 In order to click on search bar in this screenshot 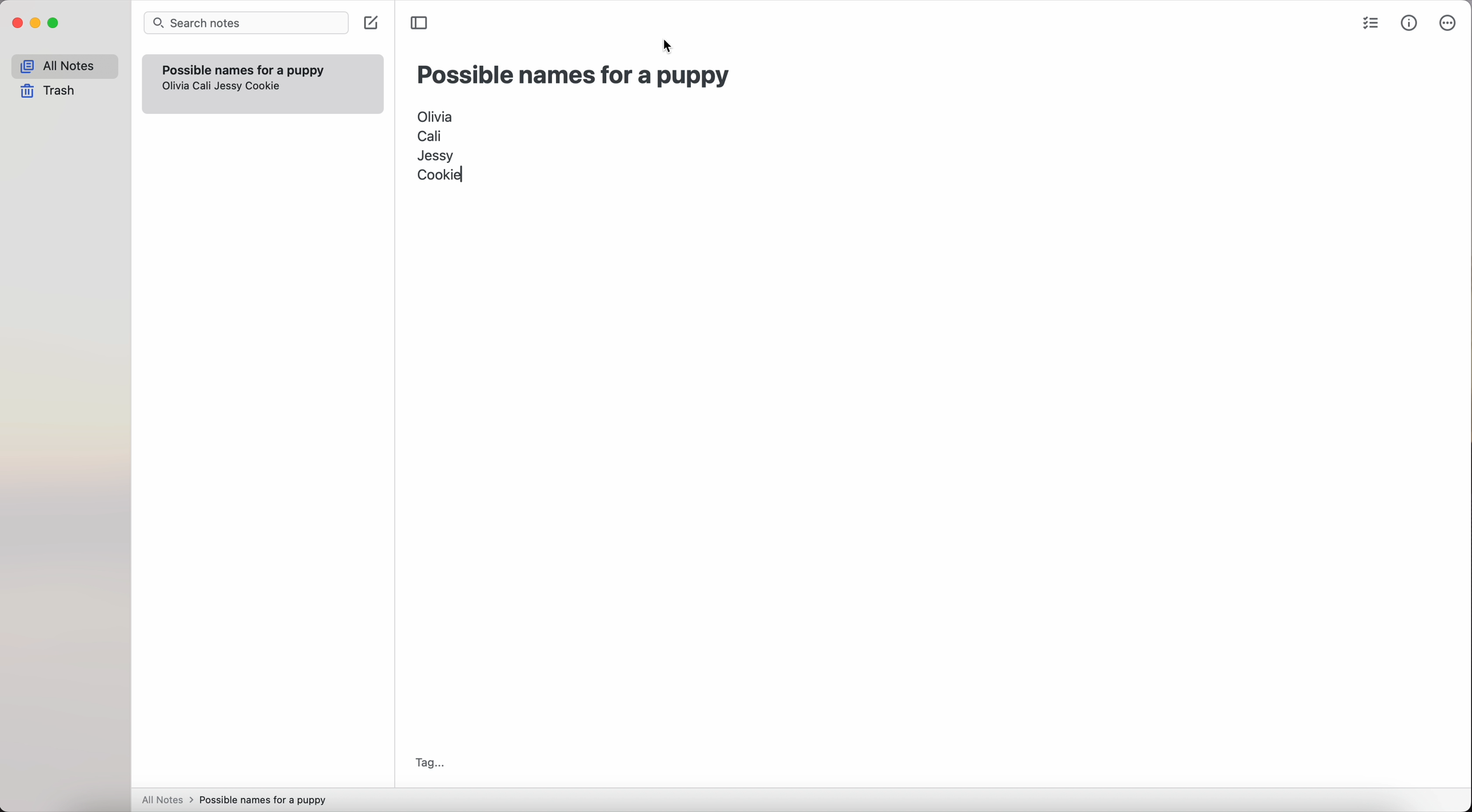, I will do `click(246, 24)`.